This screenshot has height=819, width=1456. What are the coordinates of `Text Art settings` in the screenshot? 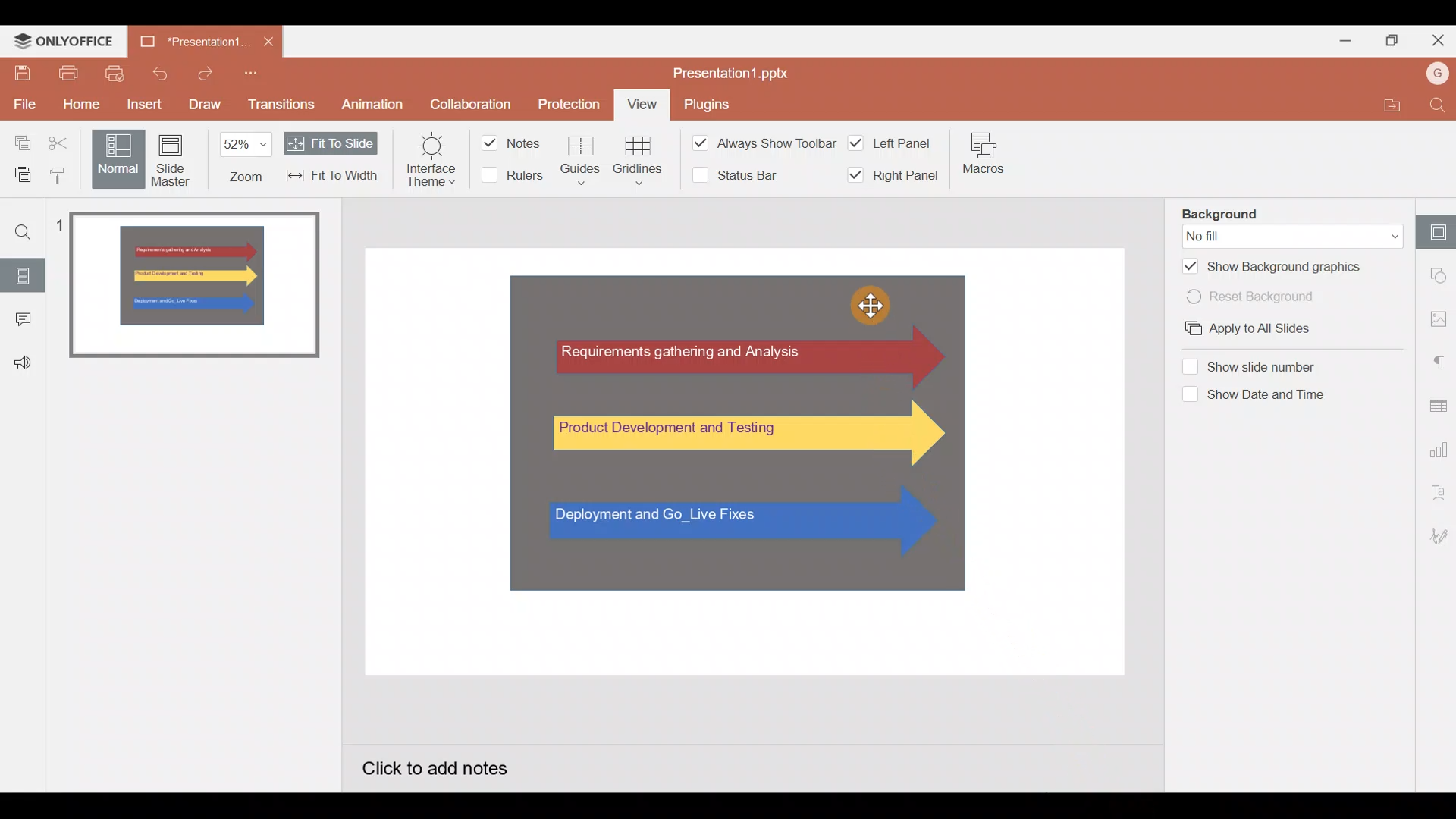 It's located at (1437, 495).